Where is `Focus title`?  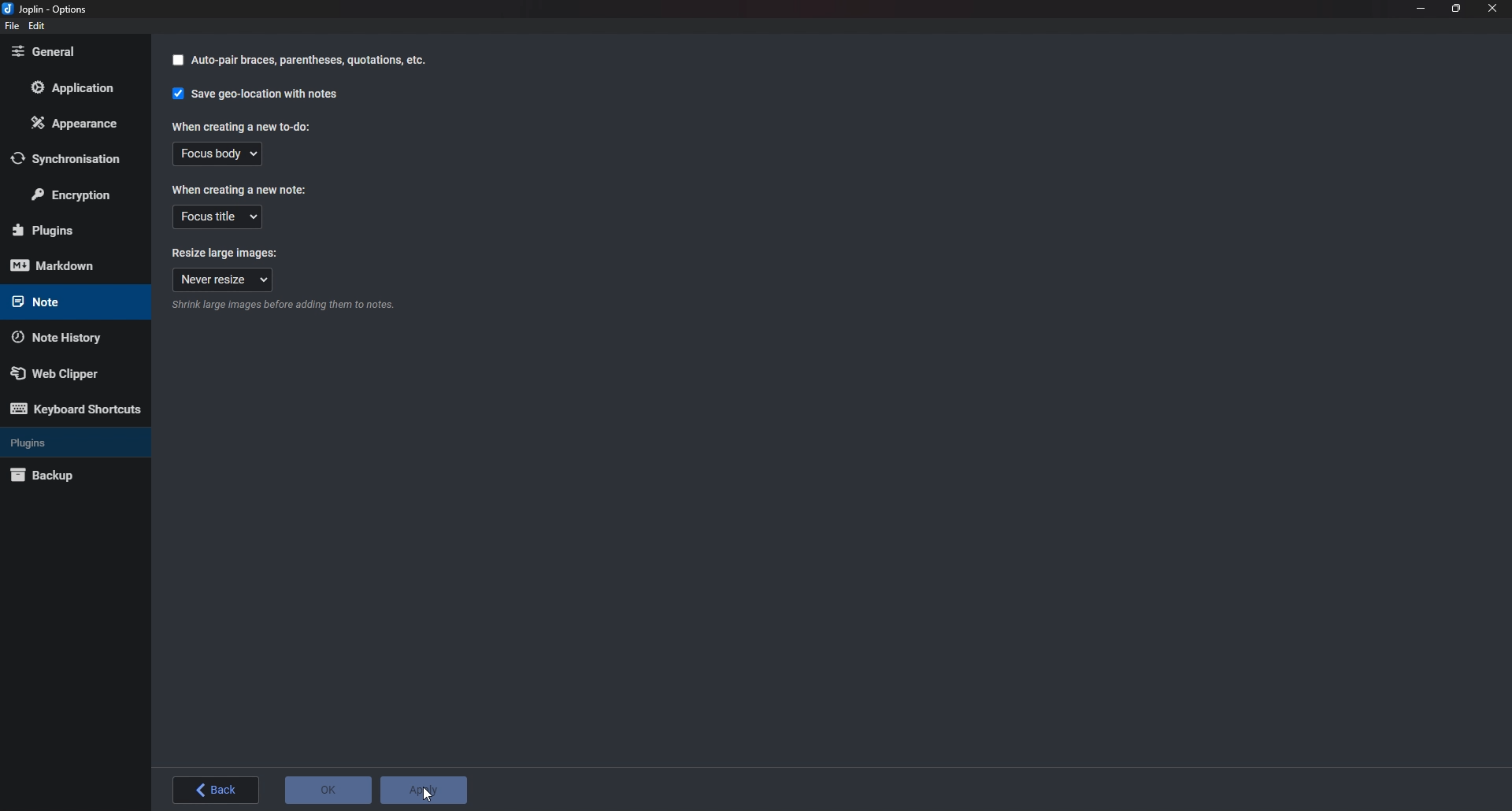 Focus title is located at coordinates (217, 217).